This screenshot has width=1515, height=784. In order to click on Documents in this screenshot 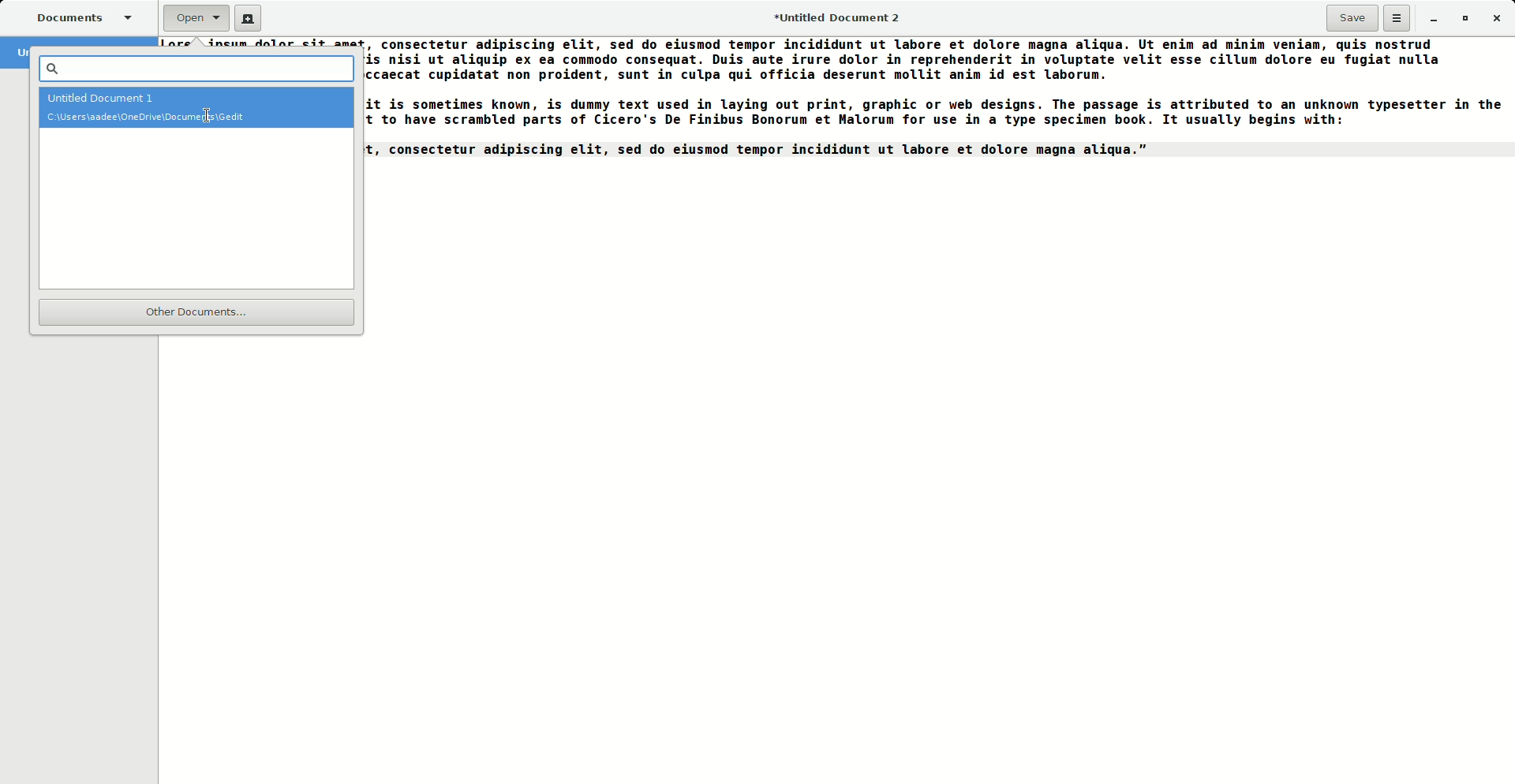, I will do `click(77, 15)`.